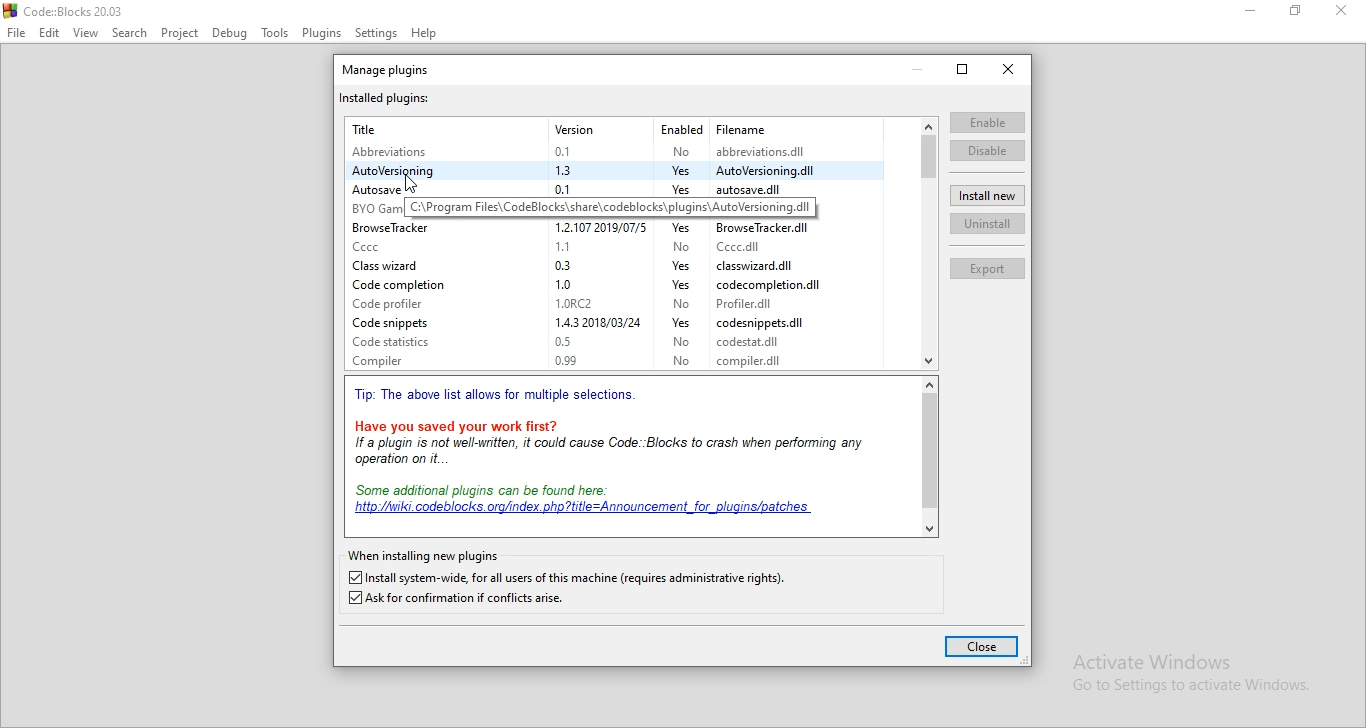 The image size is (1366, 728). Describe the element at coordinates (402, 342) in the screenshot. I see `Code Statistics` at that location.